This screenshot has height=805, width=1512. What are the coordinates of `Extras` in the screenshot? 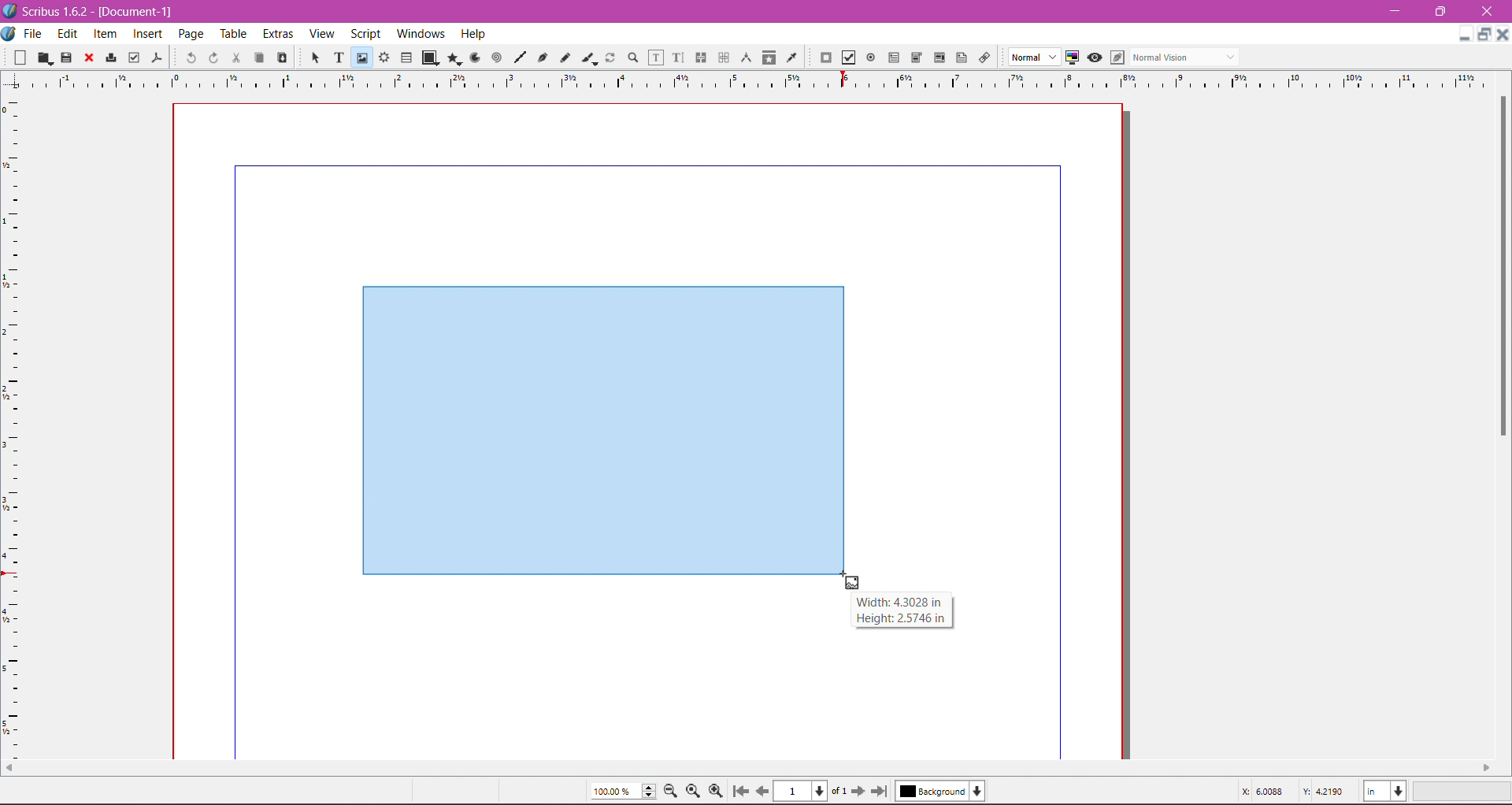 It's located at (280, 33).